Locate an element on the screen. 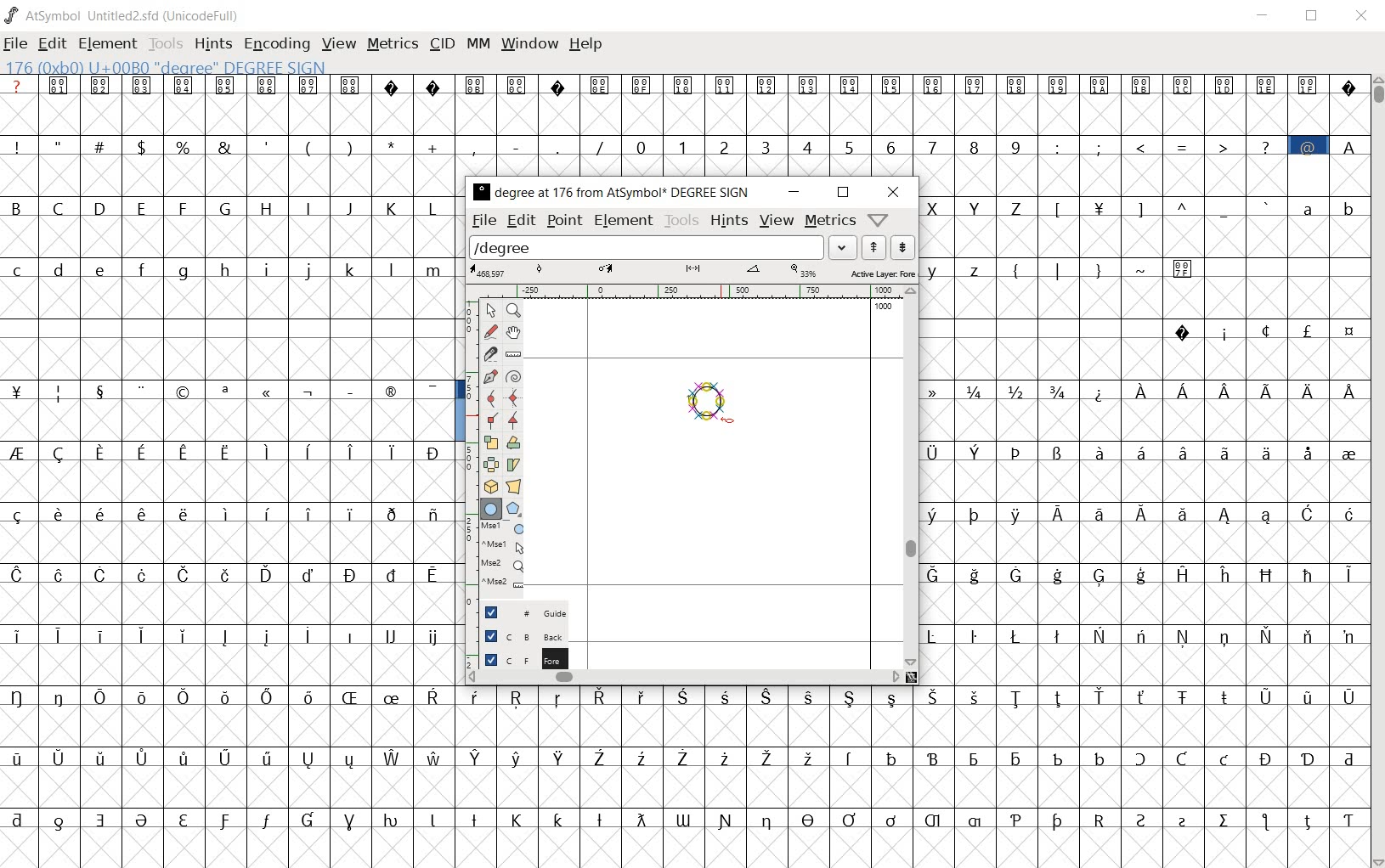  point is located at coordinates (562, 221).